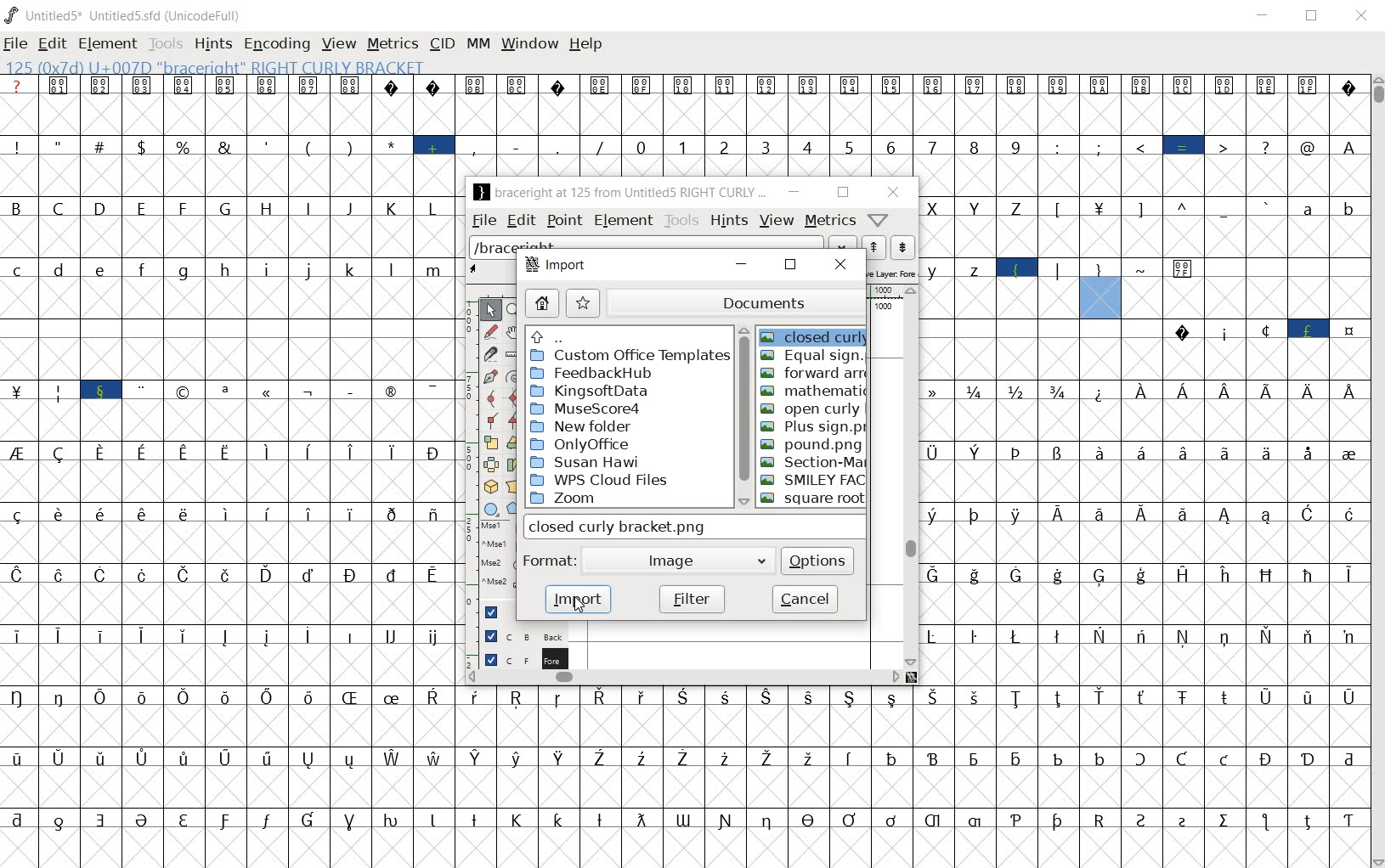 The width and height of the screenshot is (1385, 868). What do you see at coordinates (728, 221) in the screenshot?
I see `hints` at bounding box center [728, 221].